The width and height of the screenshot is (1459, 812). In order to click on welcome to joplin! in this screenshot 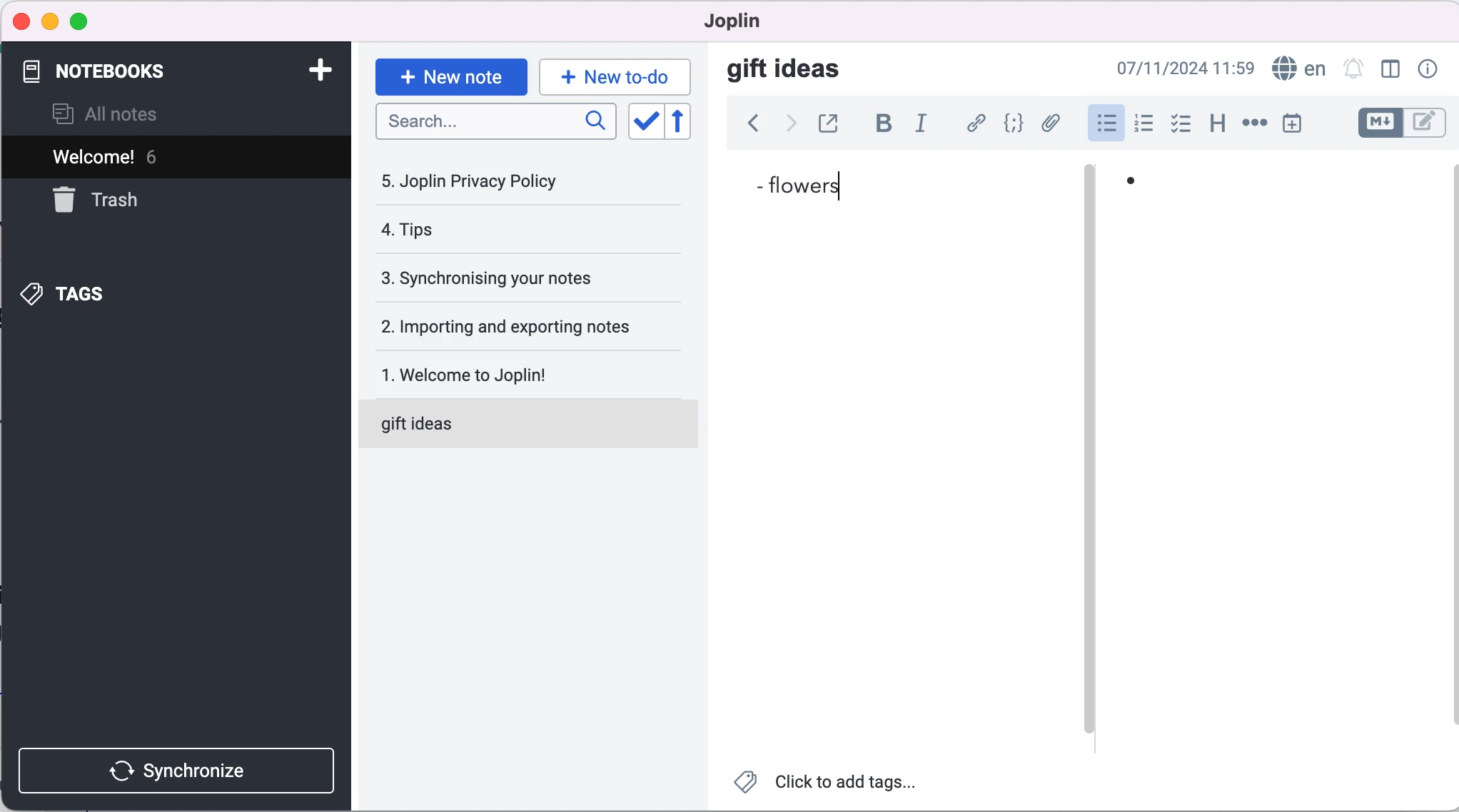, I will do `click(519, 374)`.